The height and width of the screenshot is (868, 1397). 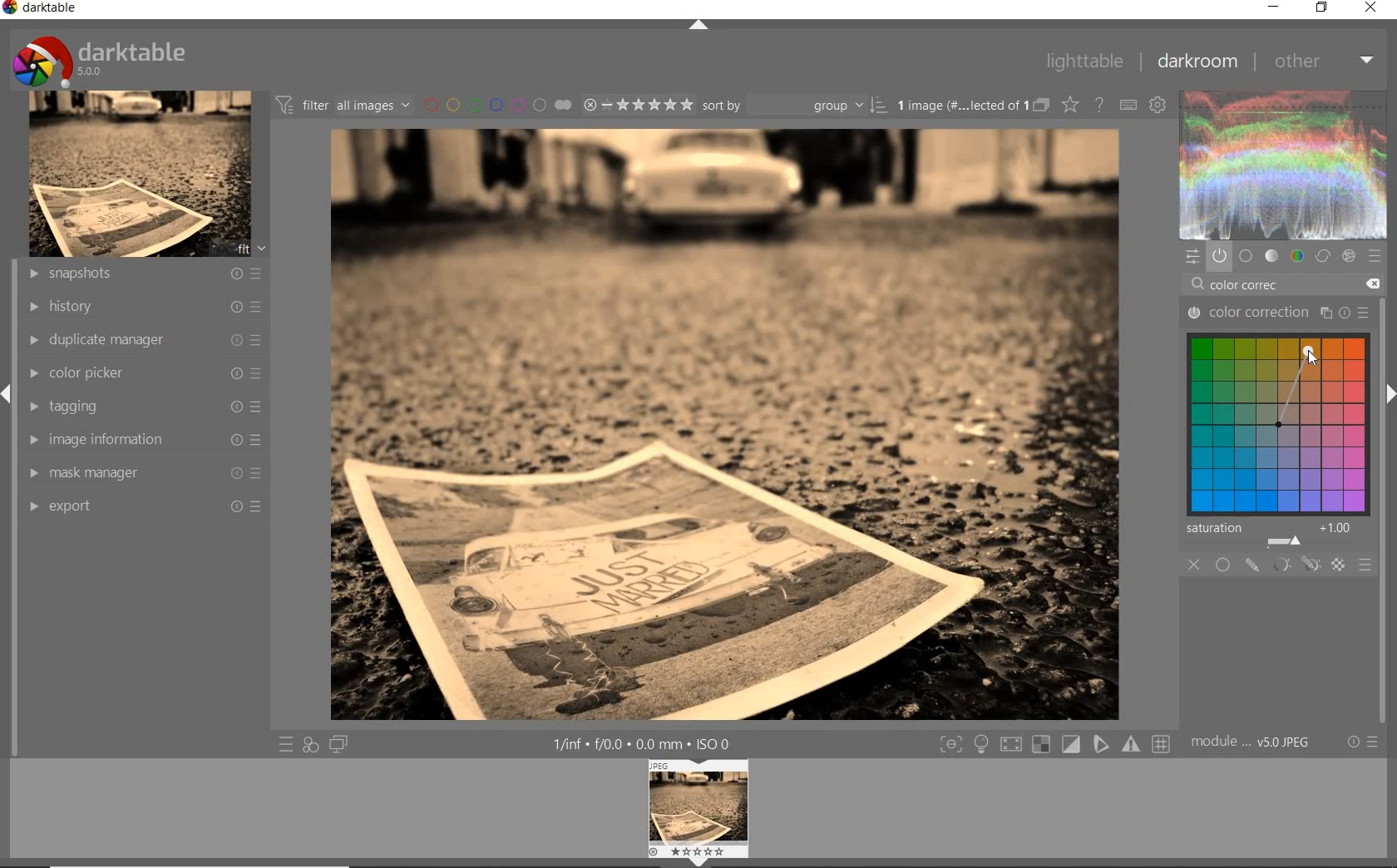 I want to click on wave form, so click(x=1284, y=167).